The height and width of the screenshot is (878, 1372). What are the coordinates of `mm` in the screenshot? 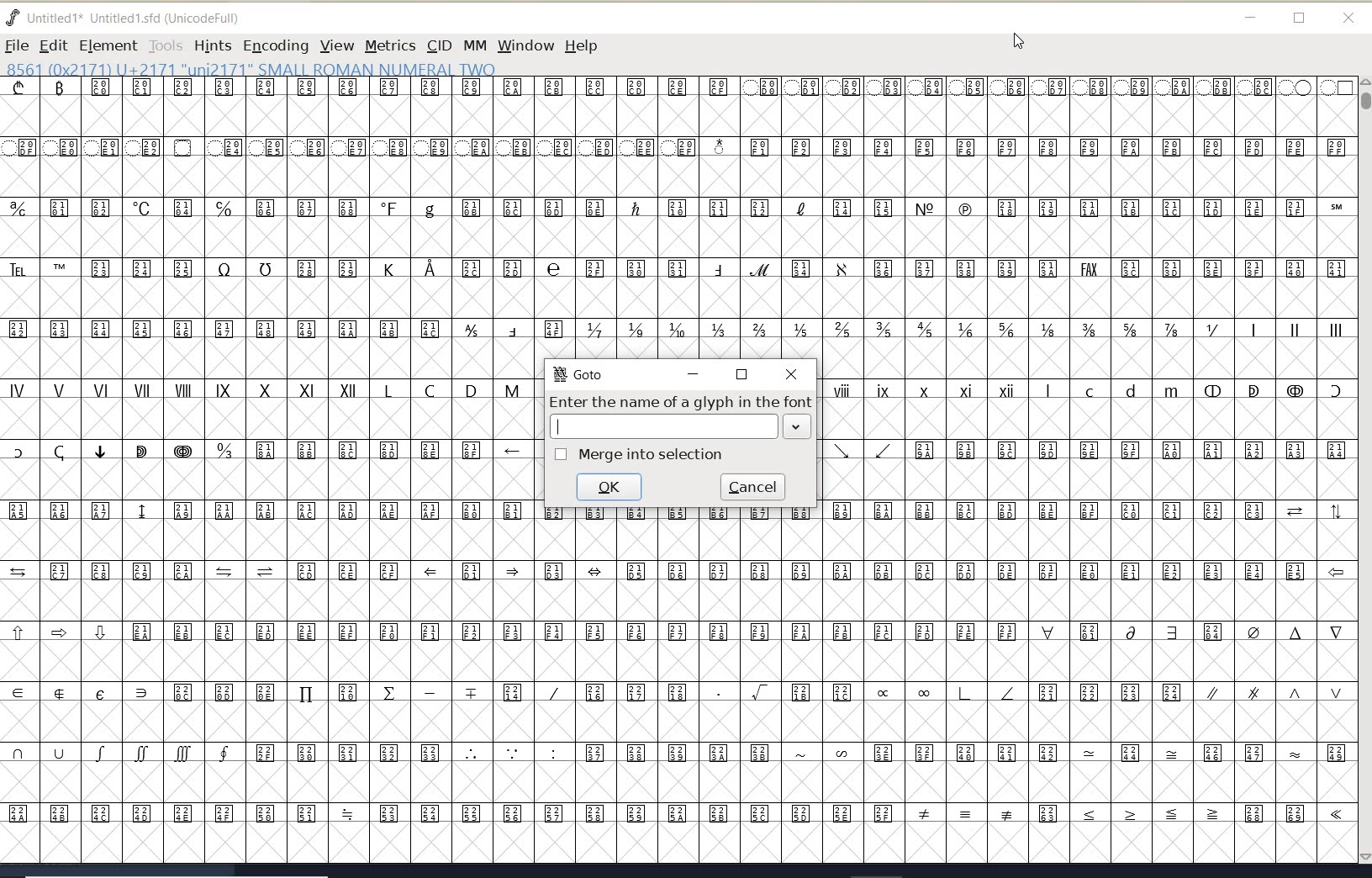 It's located at (473, 43).